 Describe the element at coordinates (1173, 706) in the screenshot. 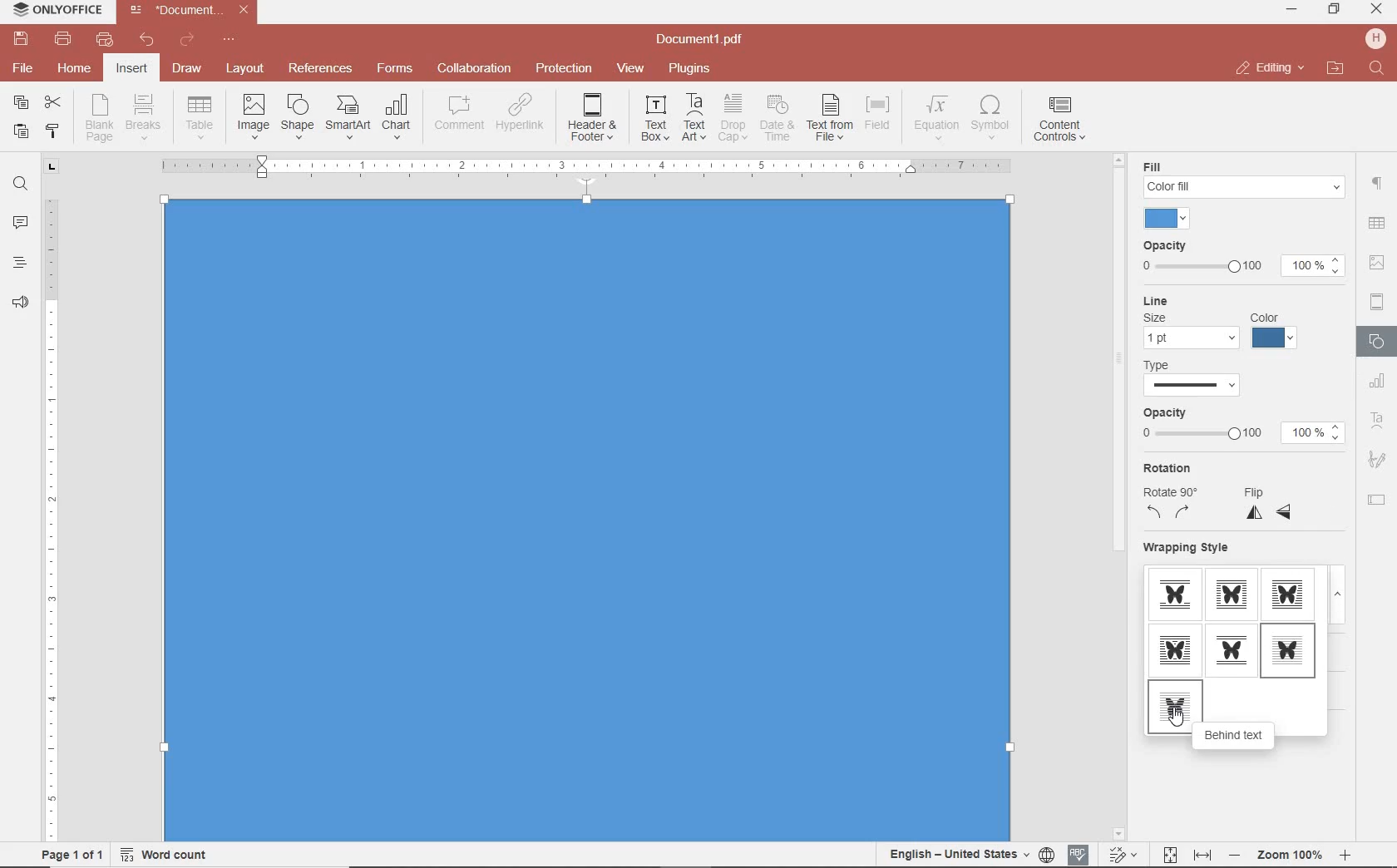

I see `BEHIND TEXT` at that location.